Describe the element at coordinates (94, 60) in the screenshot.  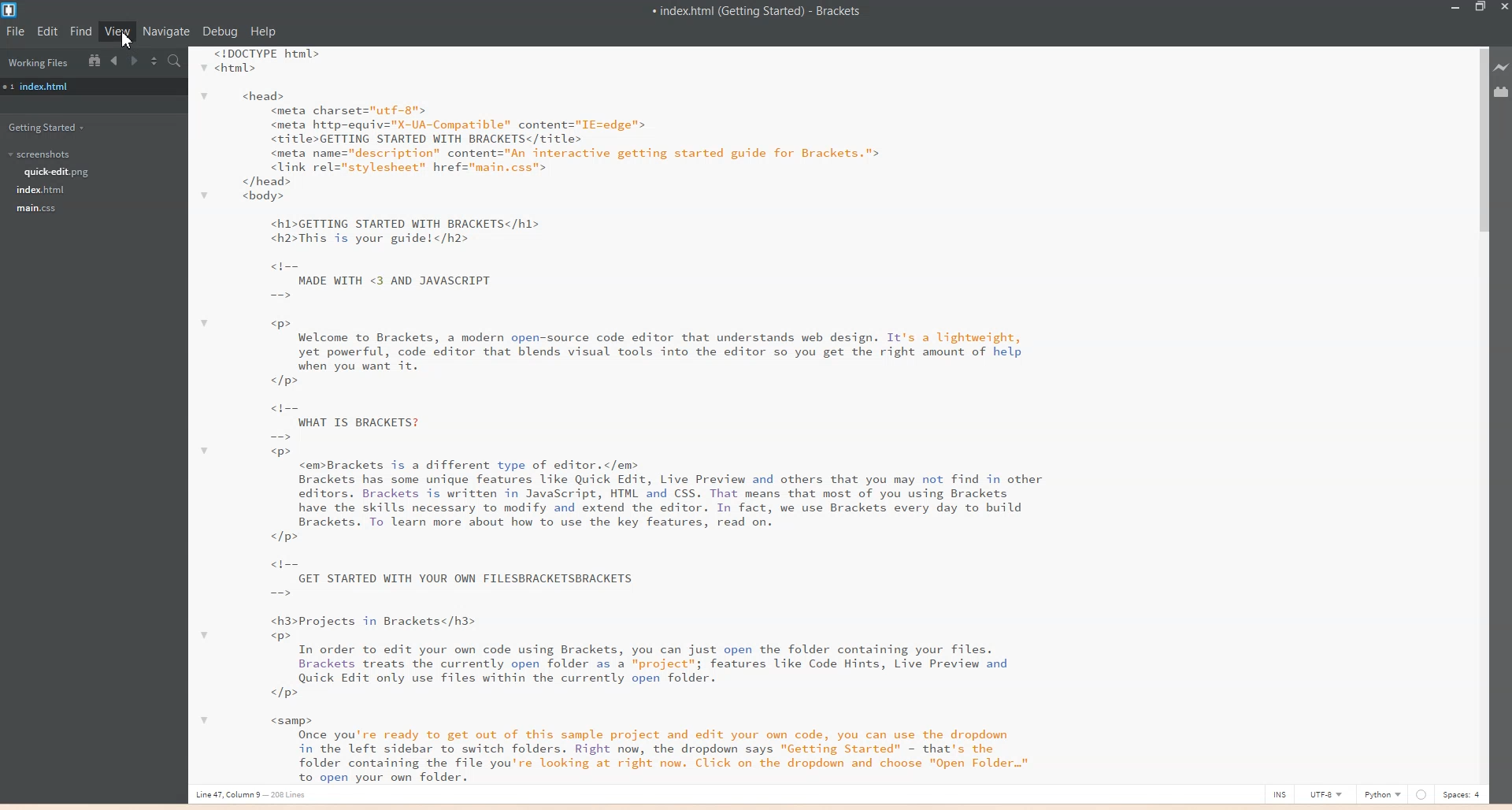
I see `Show in file Tree` at that location.